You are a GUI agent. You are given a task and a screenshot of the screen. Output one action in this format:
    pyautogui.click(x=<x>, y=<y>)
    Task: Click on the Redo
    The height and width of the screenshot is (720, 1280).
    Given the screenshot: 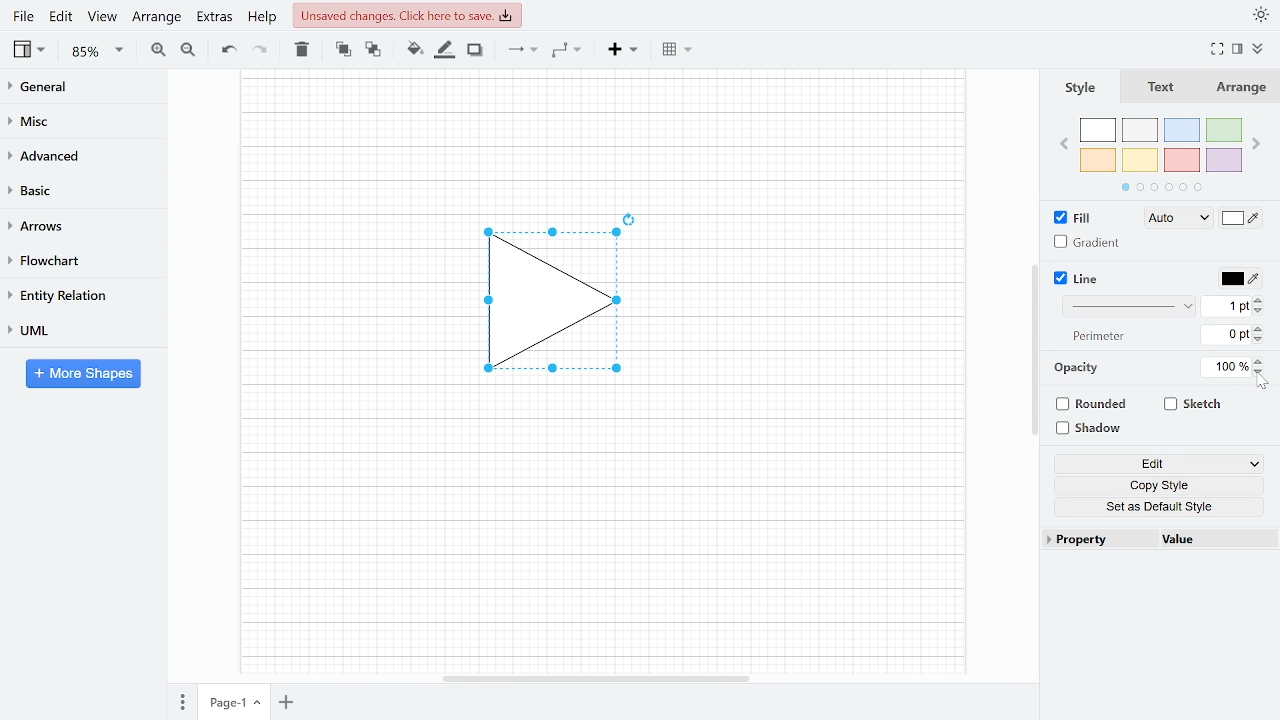 What is the action you would take?
    pyautogui.click(x=258, y=48)
    